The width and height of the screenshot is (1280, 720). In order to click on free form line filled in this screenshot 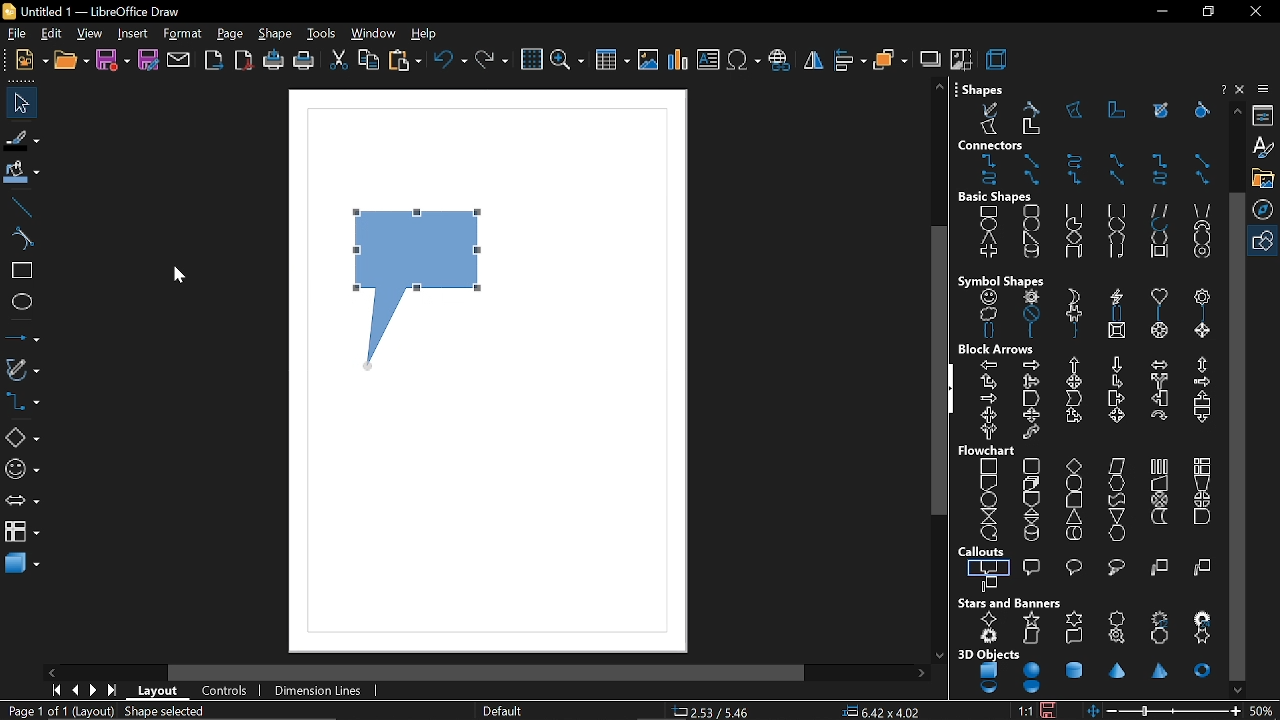, I will do `click(1161, 110)`.